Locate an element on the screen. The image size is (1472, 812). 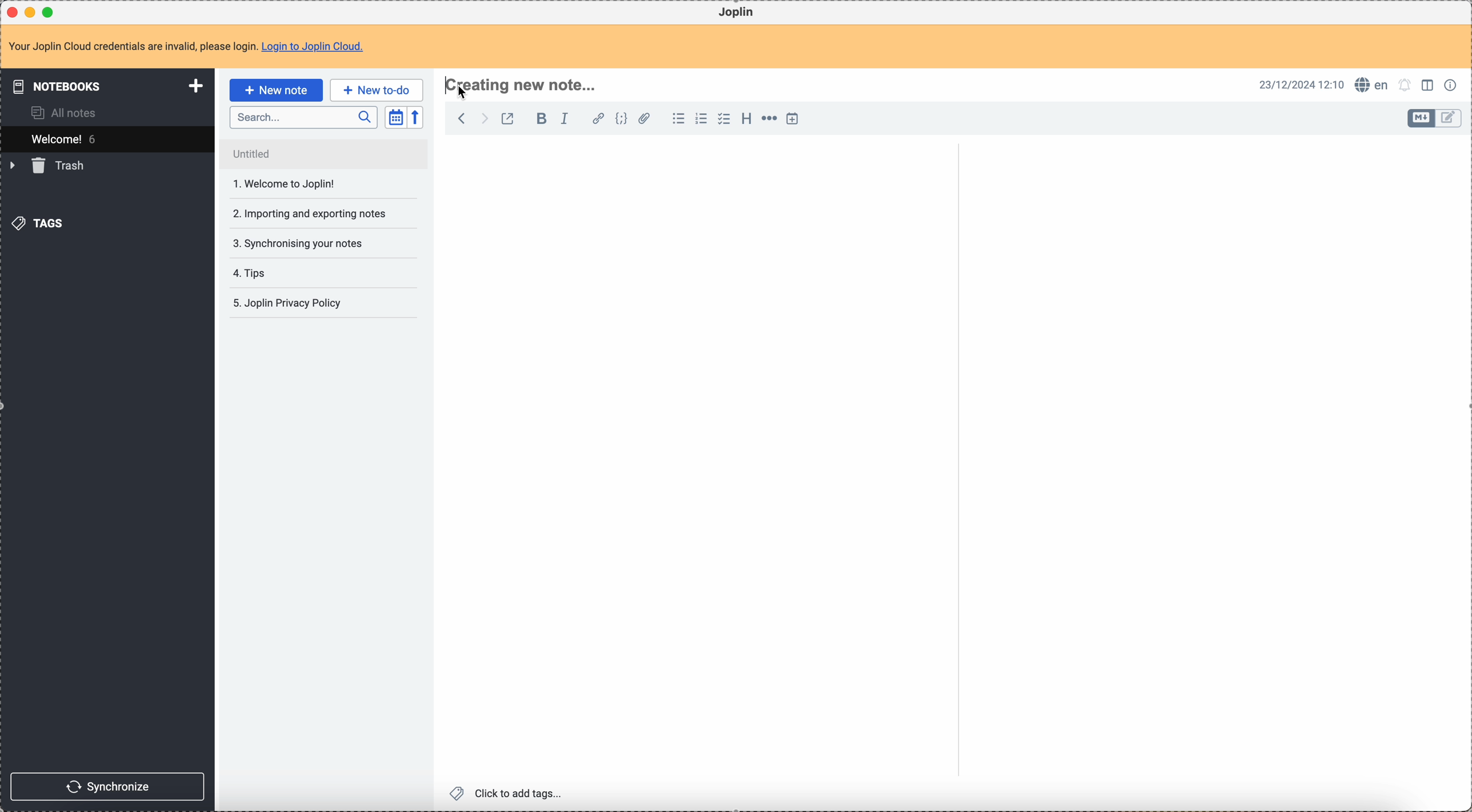
set notifications is located at coordinates (1406, 86).